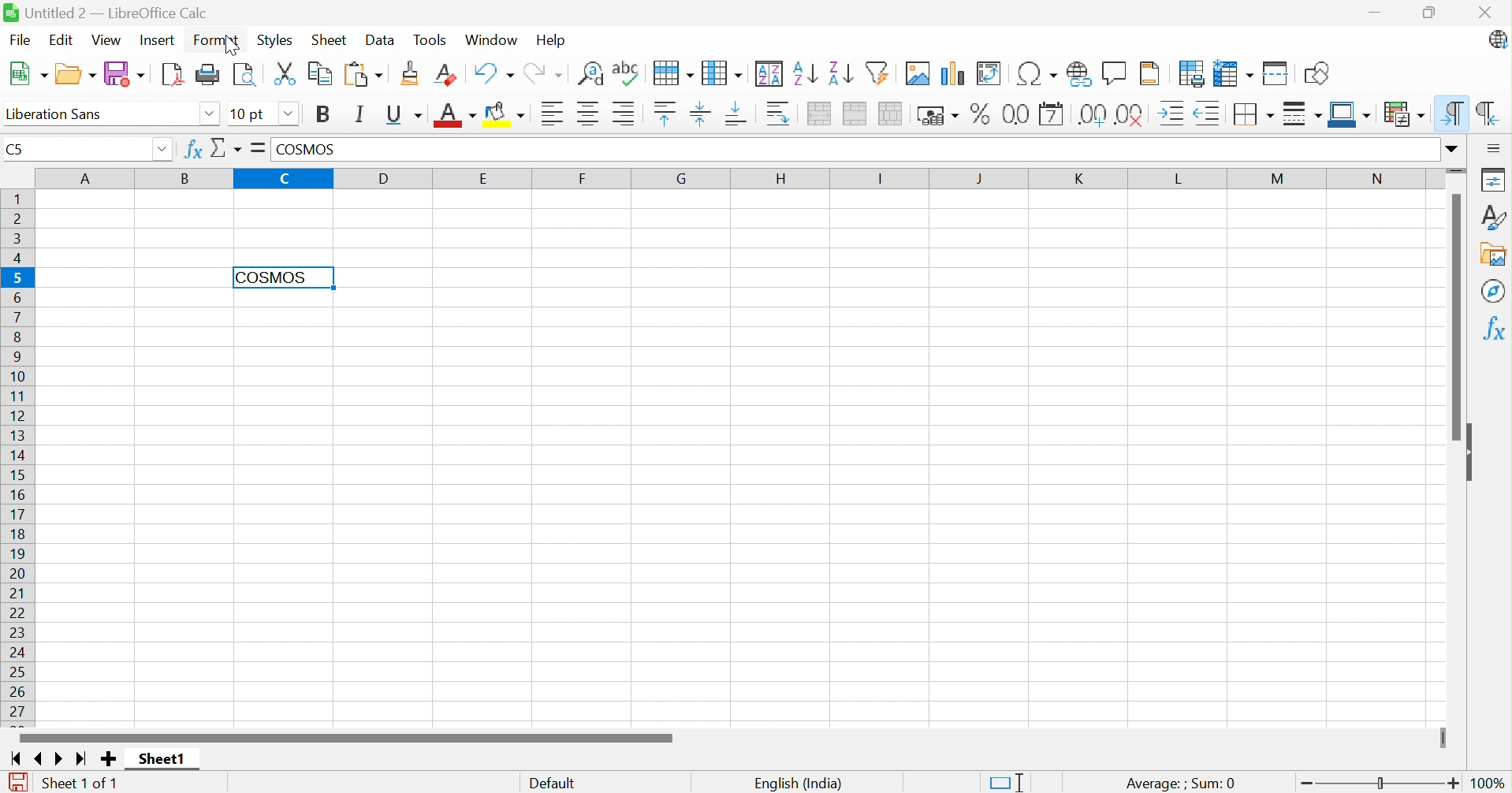 This screenshot has height=793, width=1512. I want to click on Column Names, so click(738, 180).